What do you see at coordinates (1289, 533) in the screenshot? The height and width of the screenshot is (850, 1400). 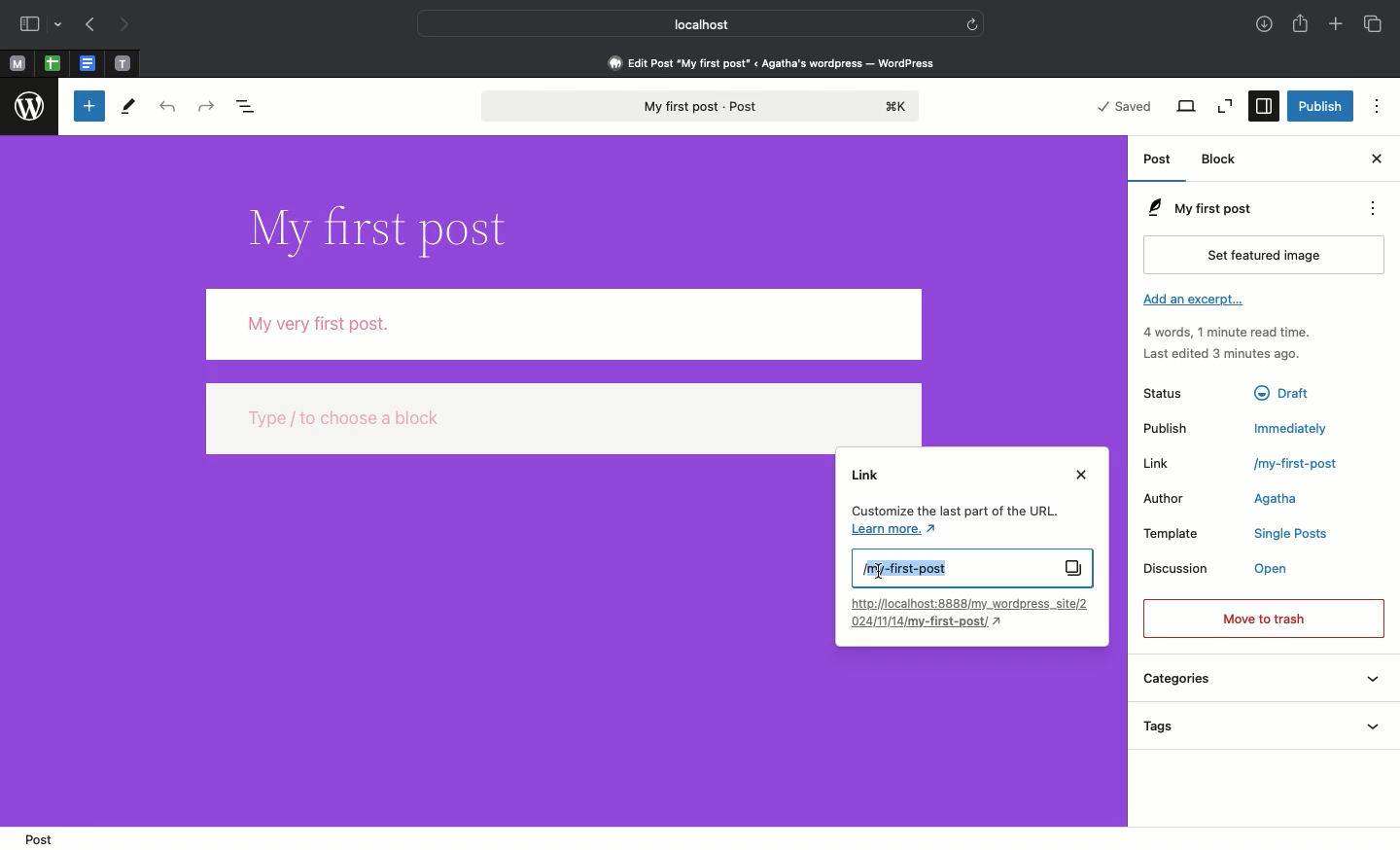 I see `Single Posts` at bounding box center [1289, 533].